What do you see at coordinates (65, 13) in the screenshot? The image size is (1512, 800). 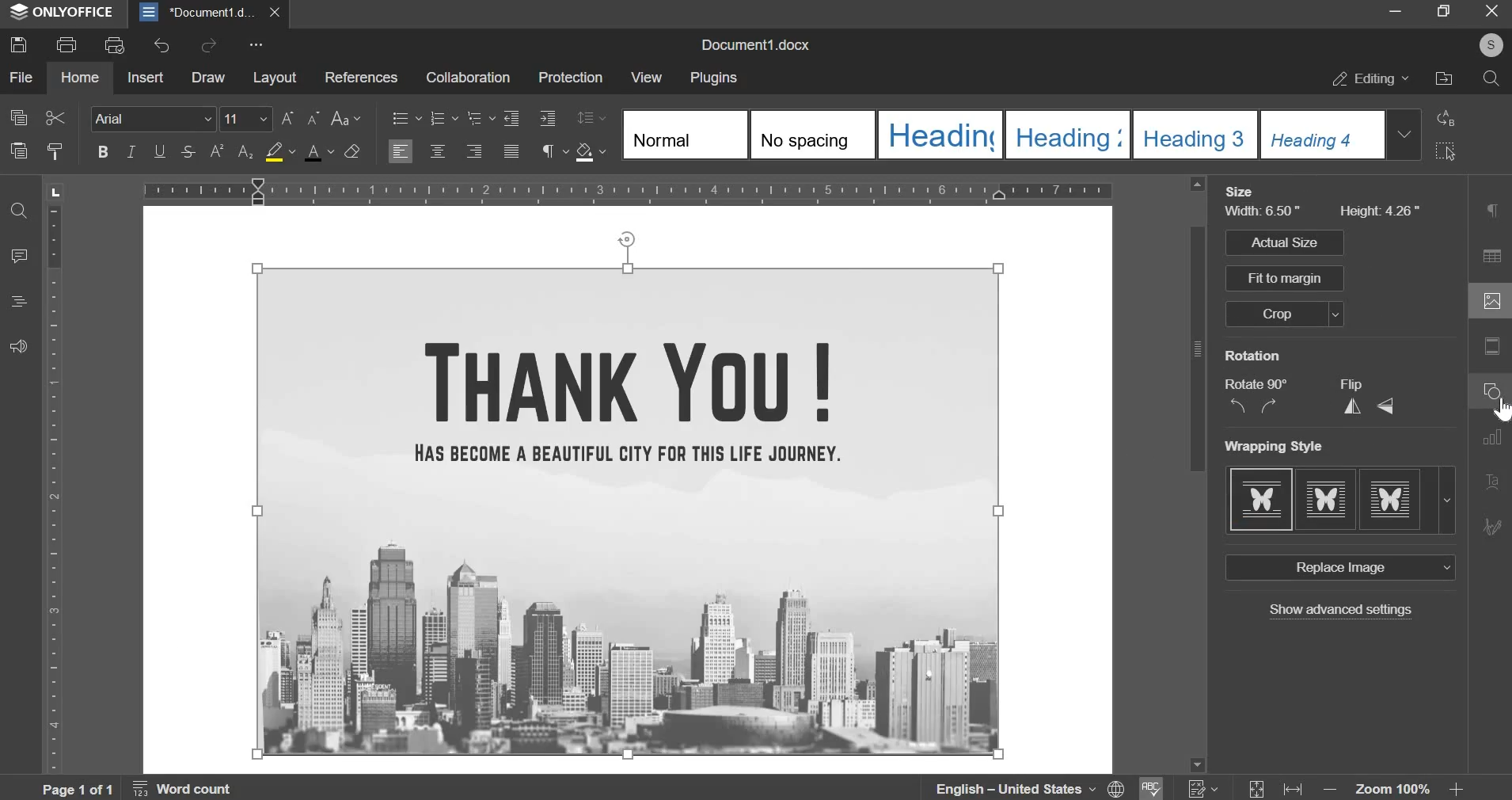 I see `ONLYOFFICE` at bounding box center [65, 13].